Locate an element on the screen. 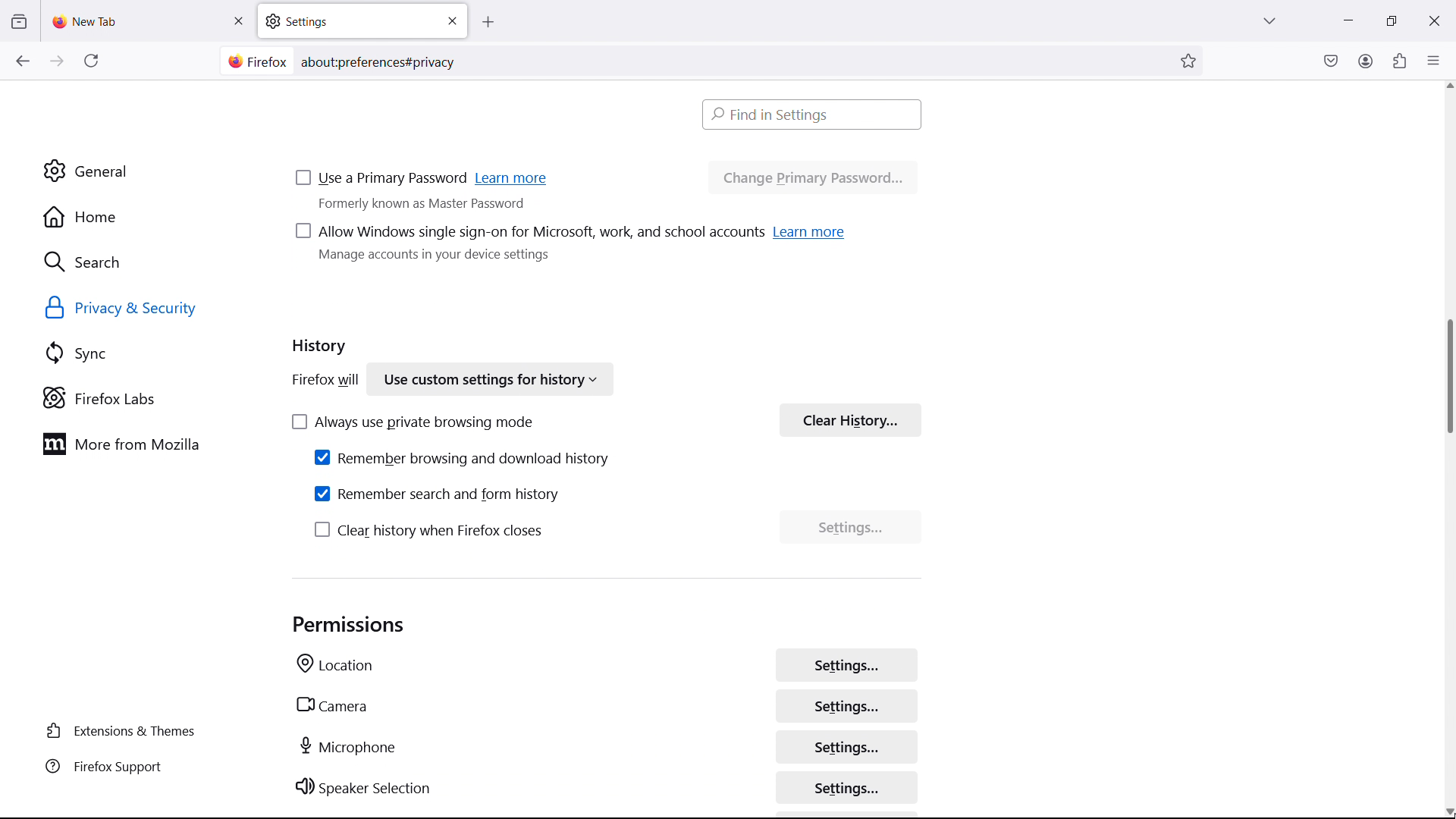  general is located at coordinates (143, 171).